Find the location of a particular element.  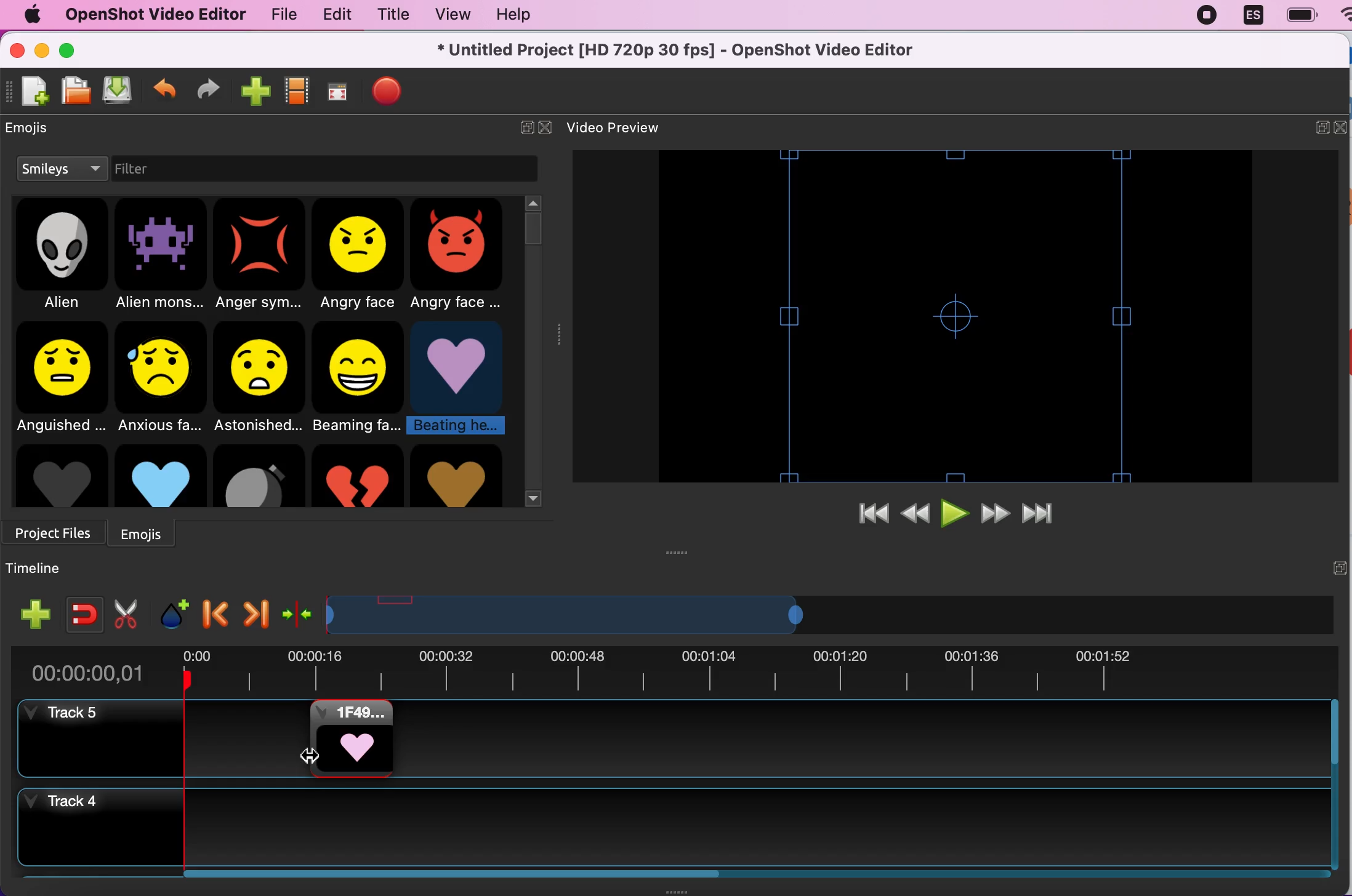

openshot video editor is located at coordinates (150, 14).